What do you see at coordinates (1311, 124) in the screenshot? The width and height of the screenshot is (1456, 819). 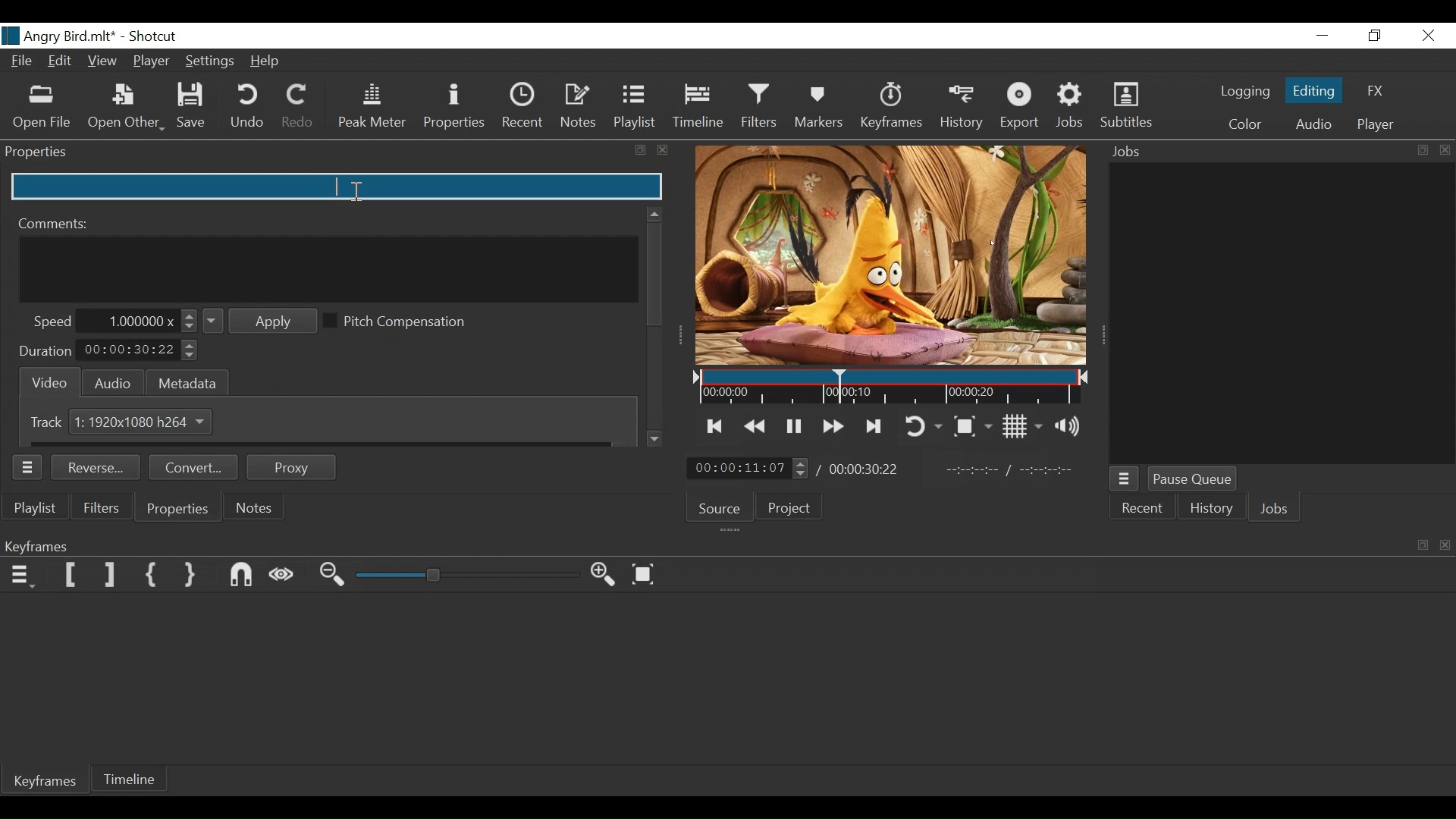 I see `Audio` at bounding box center [1311, 124].